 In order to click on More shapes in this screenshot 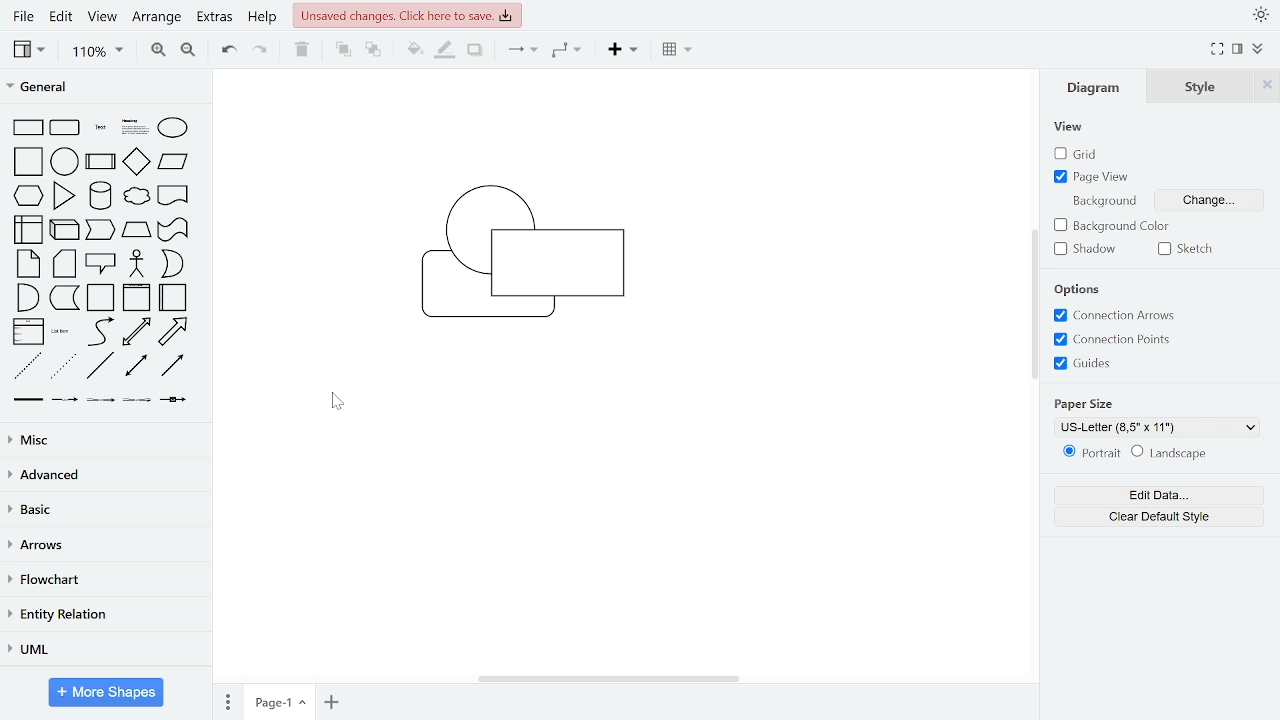, I will do `click(106, 691)`.